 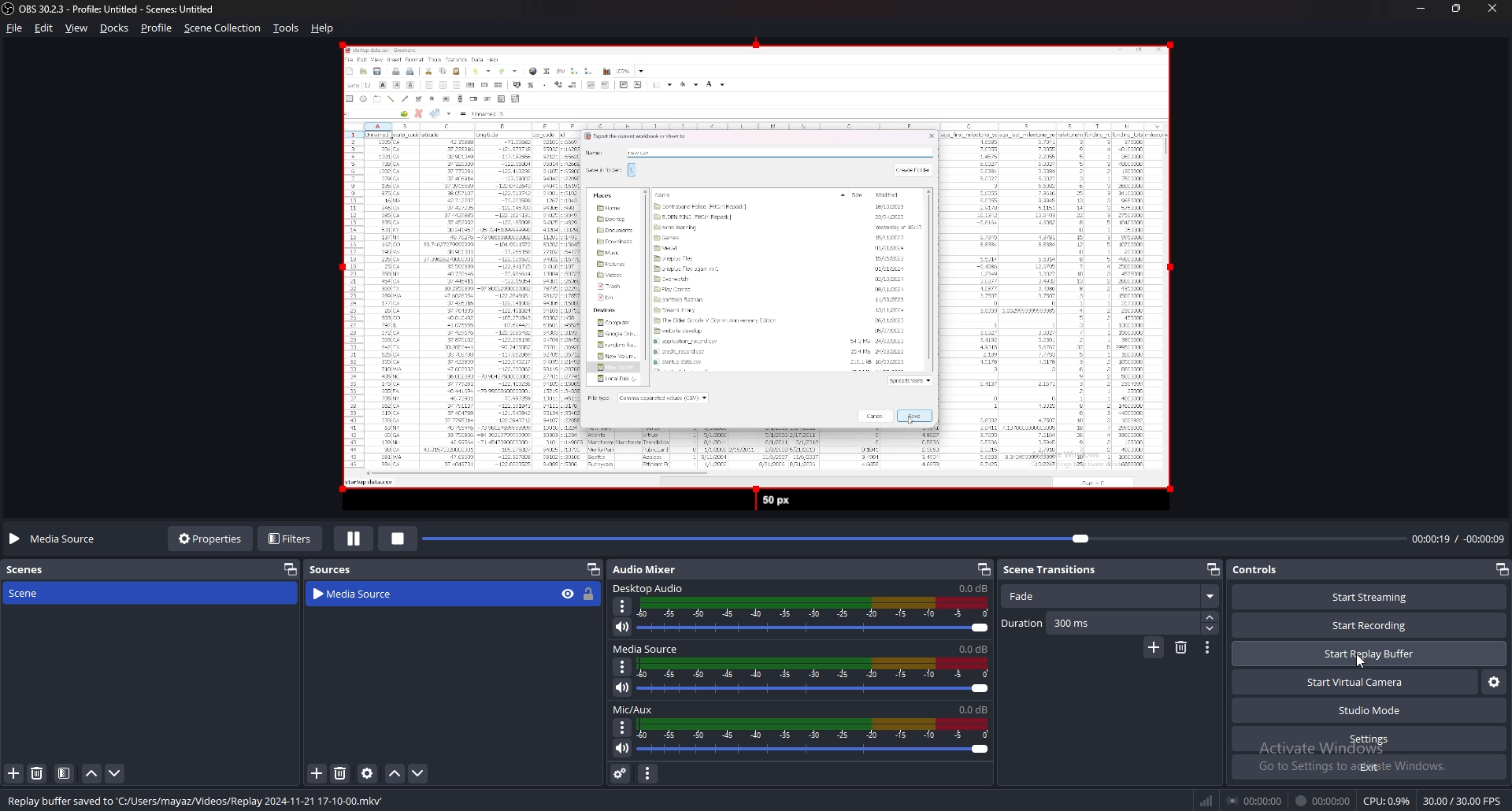 What do you see at coordinates (623, 728) in the screenshot?
I see `options` at bounding box center [623, 728].